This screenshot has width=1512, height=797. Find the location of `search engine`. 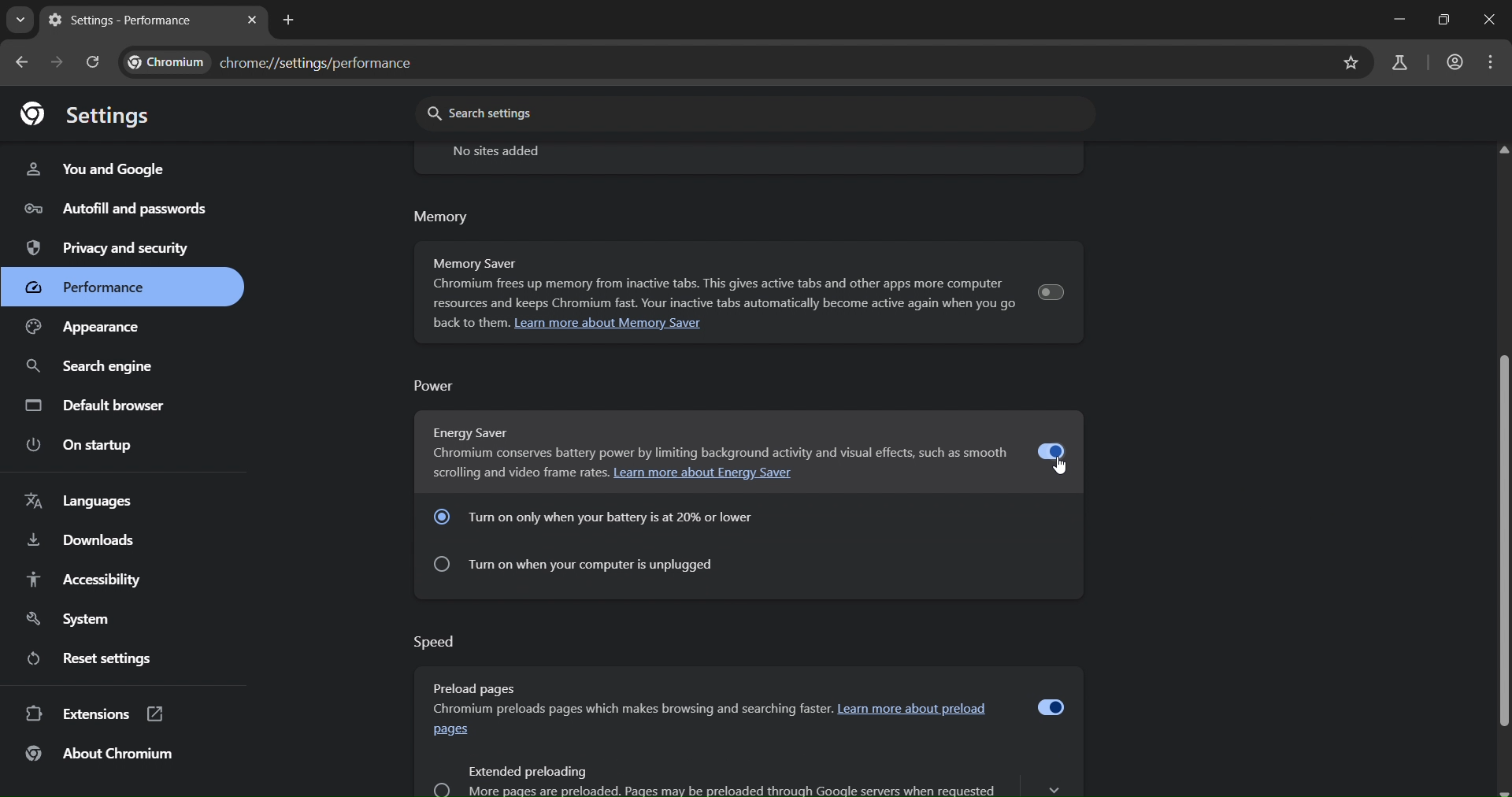

search engine is located at coordinates (99, 364).